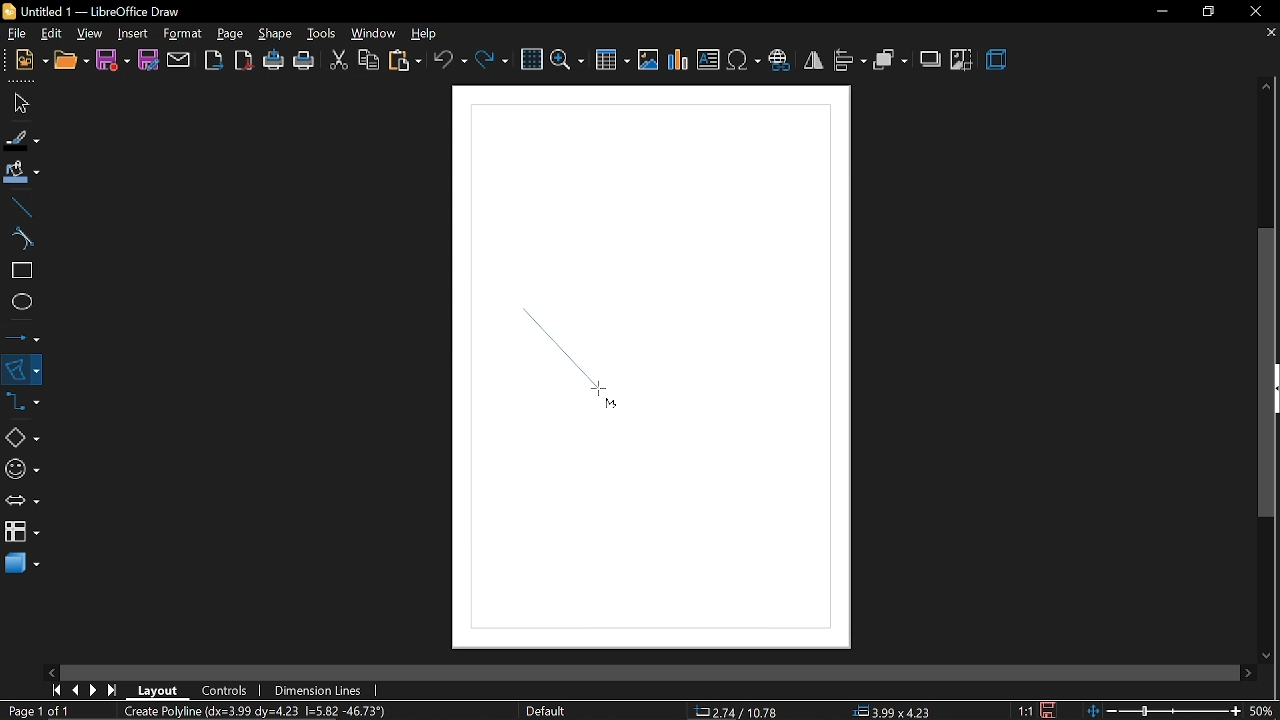  Describe the element at coordinates (18, 304) in the screenshot. I see `ellipse` at that location.